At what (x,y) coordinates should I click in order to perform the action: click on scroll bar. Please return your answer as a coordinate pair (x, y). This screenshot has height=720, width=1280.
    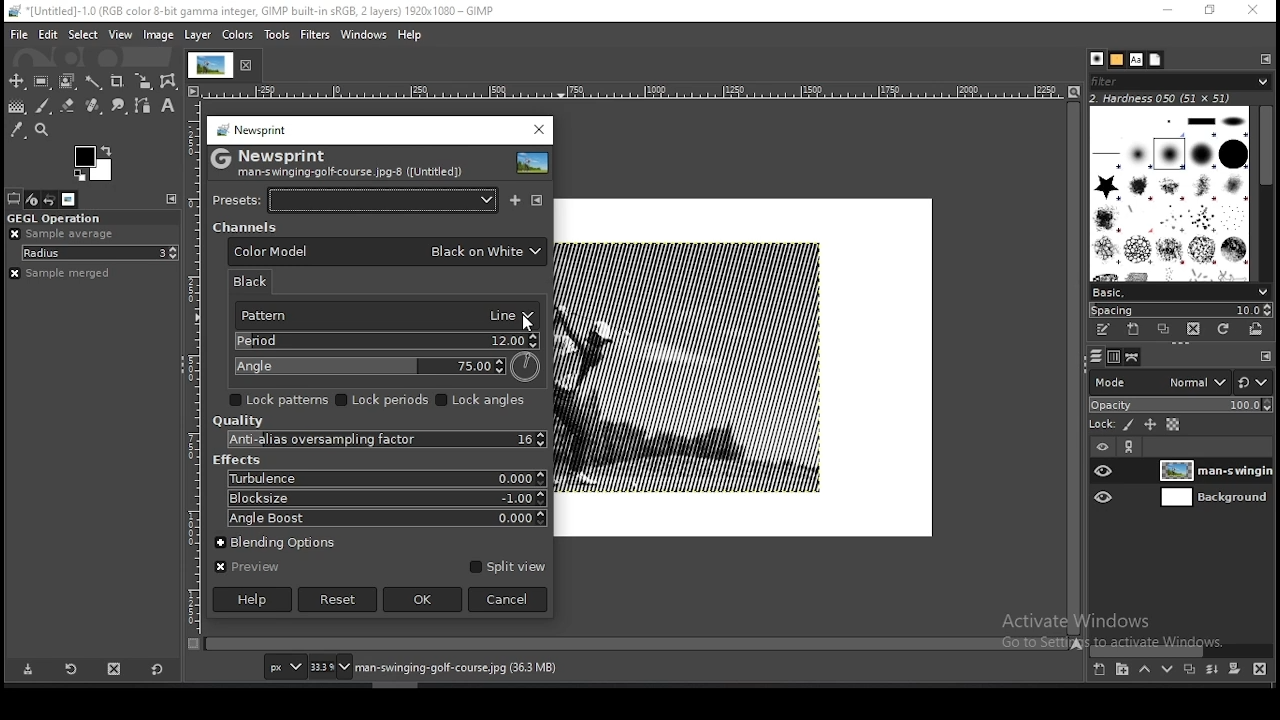
    Looking at the image, I should click on (637, 645).